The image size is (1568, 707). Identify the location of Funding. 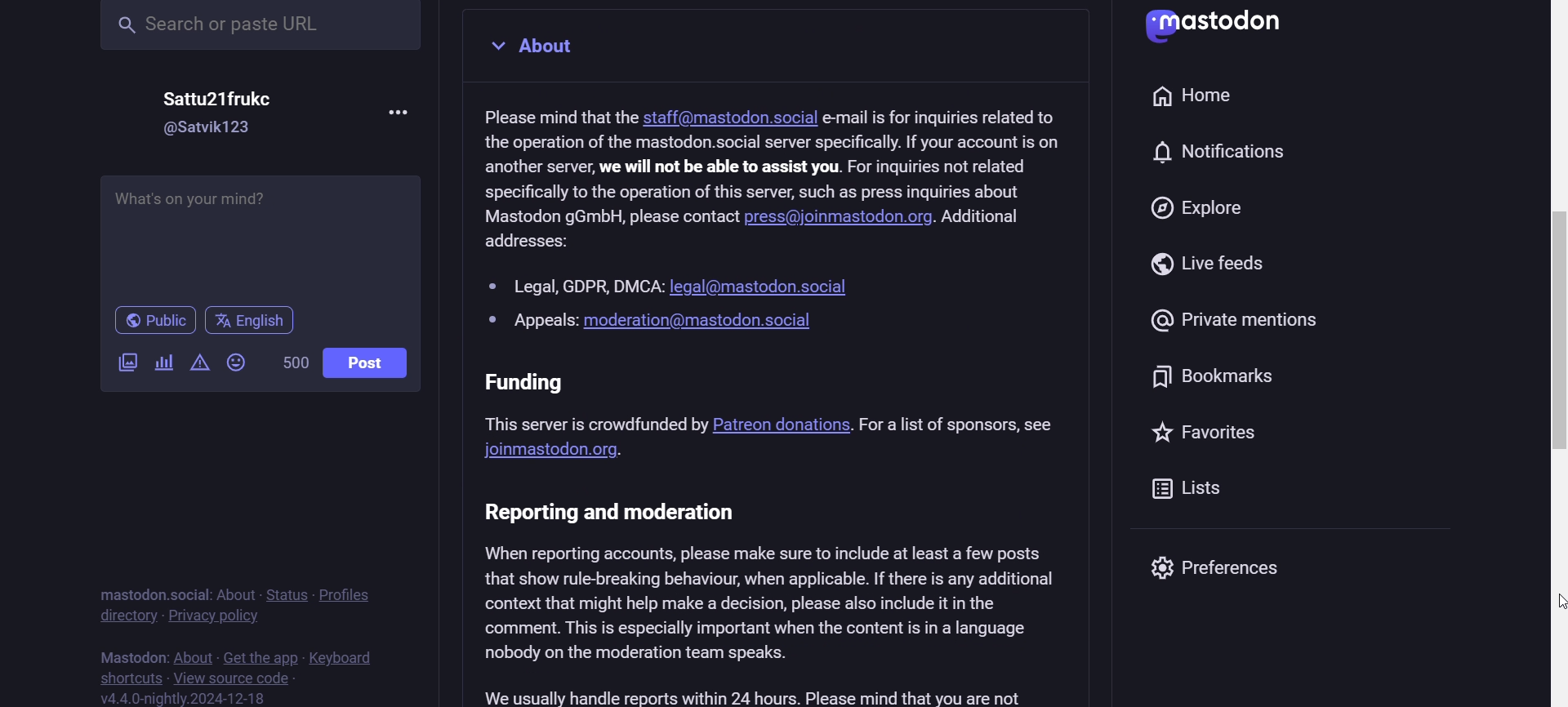
(594, 402).